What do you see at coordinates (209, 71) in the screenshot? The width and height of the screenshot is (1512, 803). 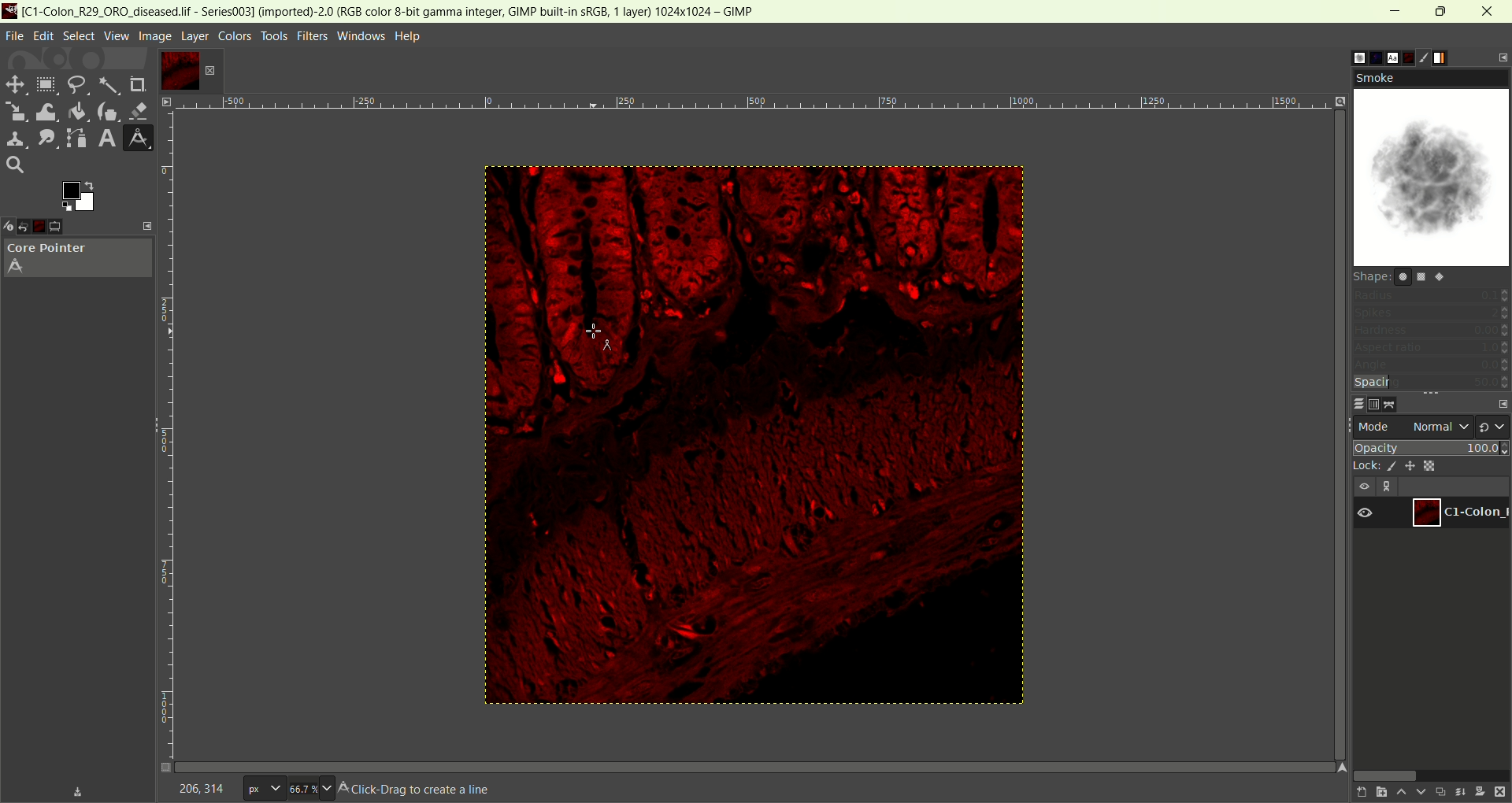 I see `close tab` at bounding box center [209, 71].